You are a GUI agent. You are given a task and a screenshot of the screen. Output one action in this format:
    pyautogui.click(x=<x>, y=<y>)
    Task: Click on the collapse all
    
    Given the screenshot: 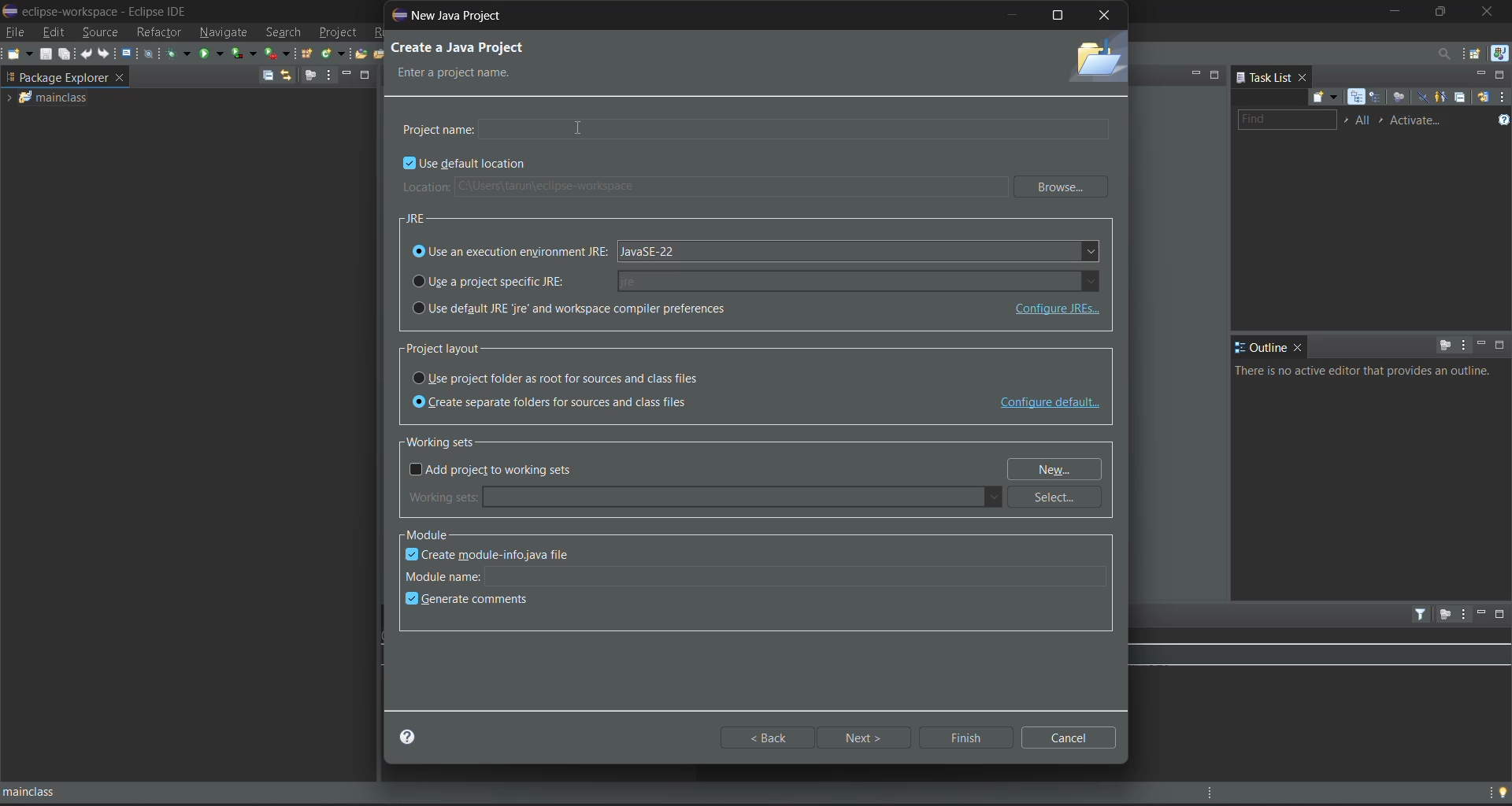 What is the action you would take?
    pyautogui.click(x=267, y=76)
    